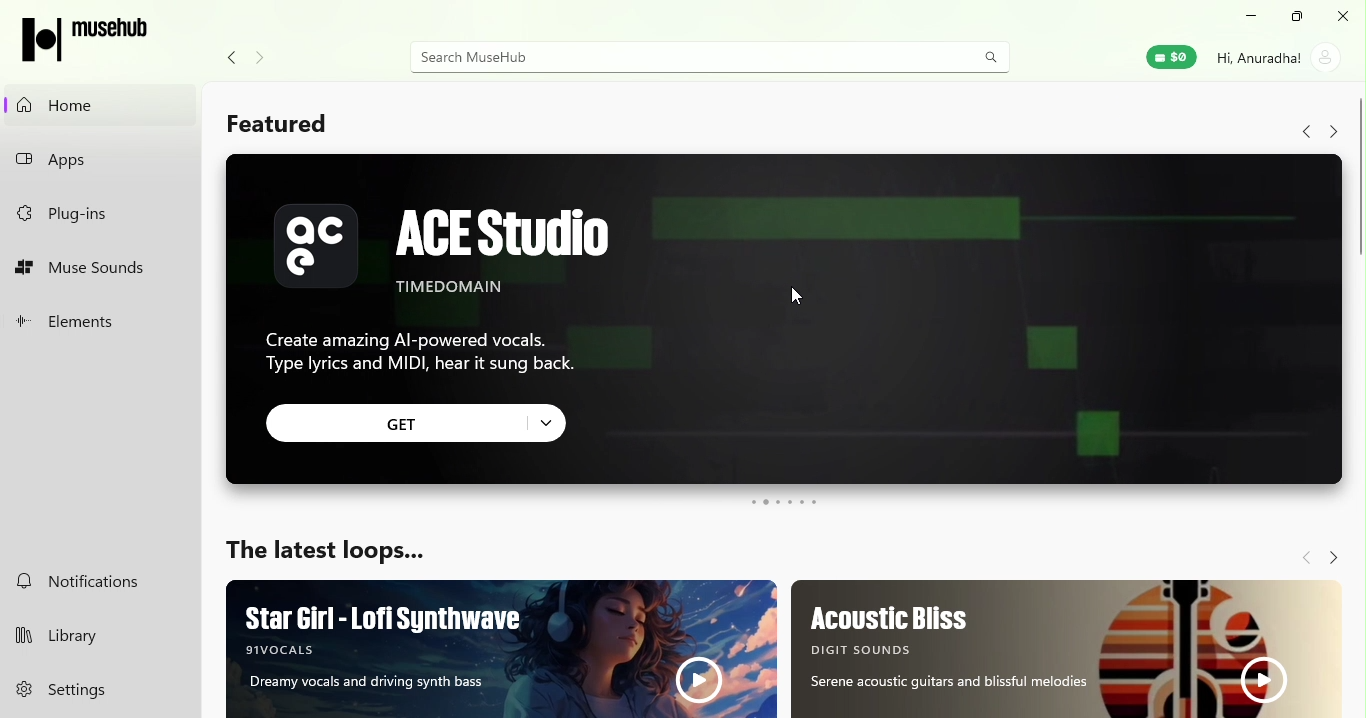 This screenshot has height=718, width=1366. I want to click on Navigate forward, so click(1336, 556).